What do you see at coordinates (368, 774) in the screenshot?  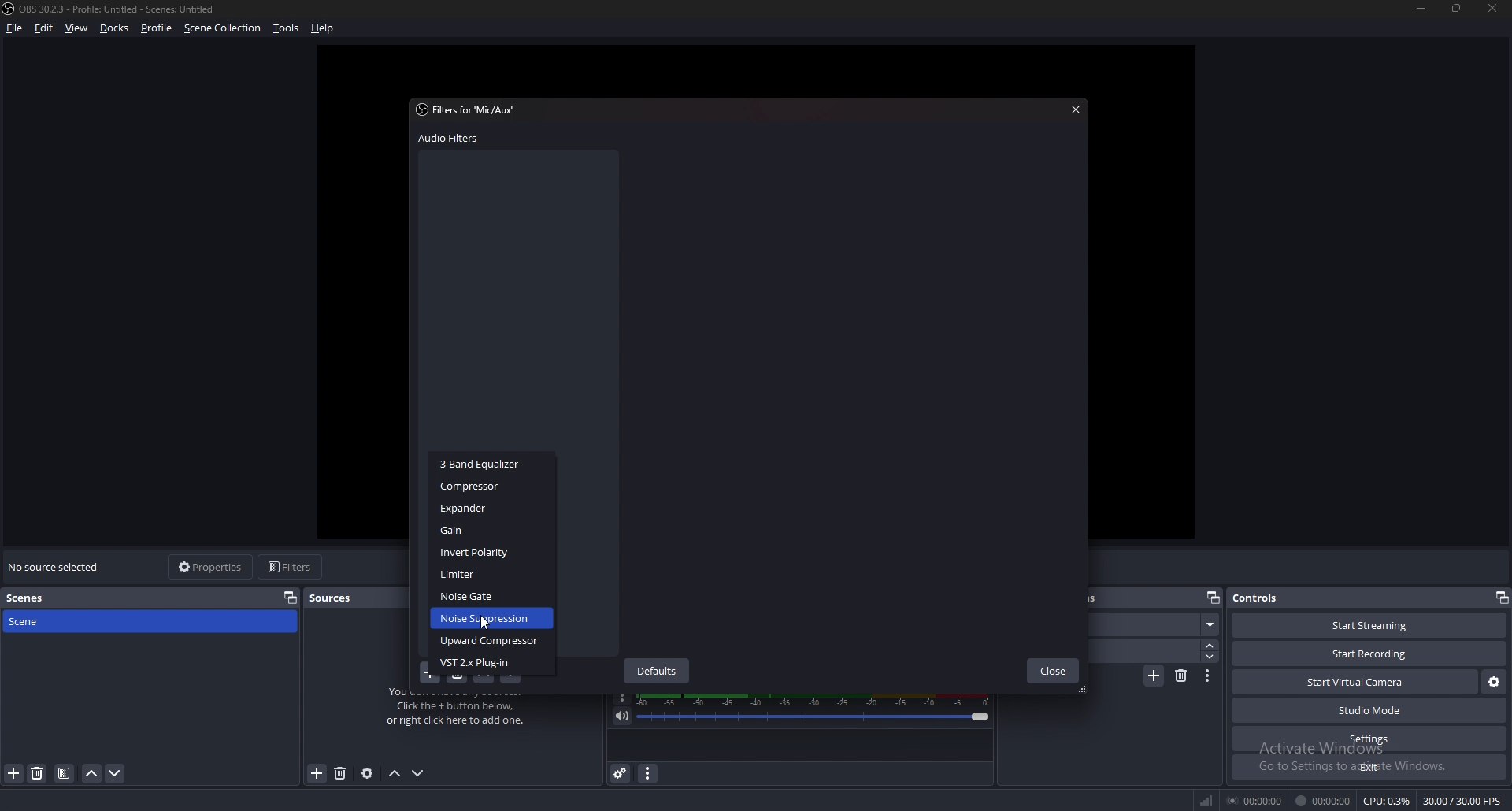 I see `source properties` at bounding box center [368, 774].